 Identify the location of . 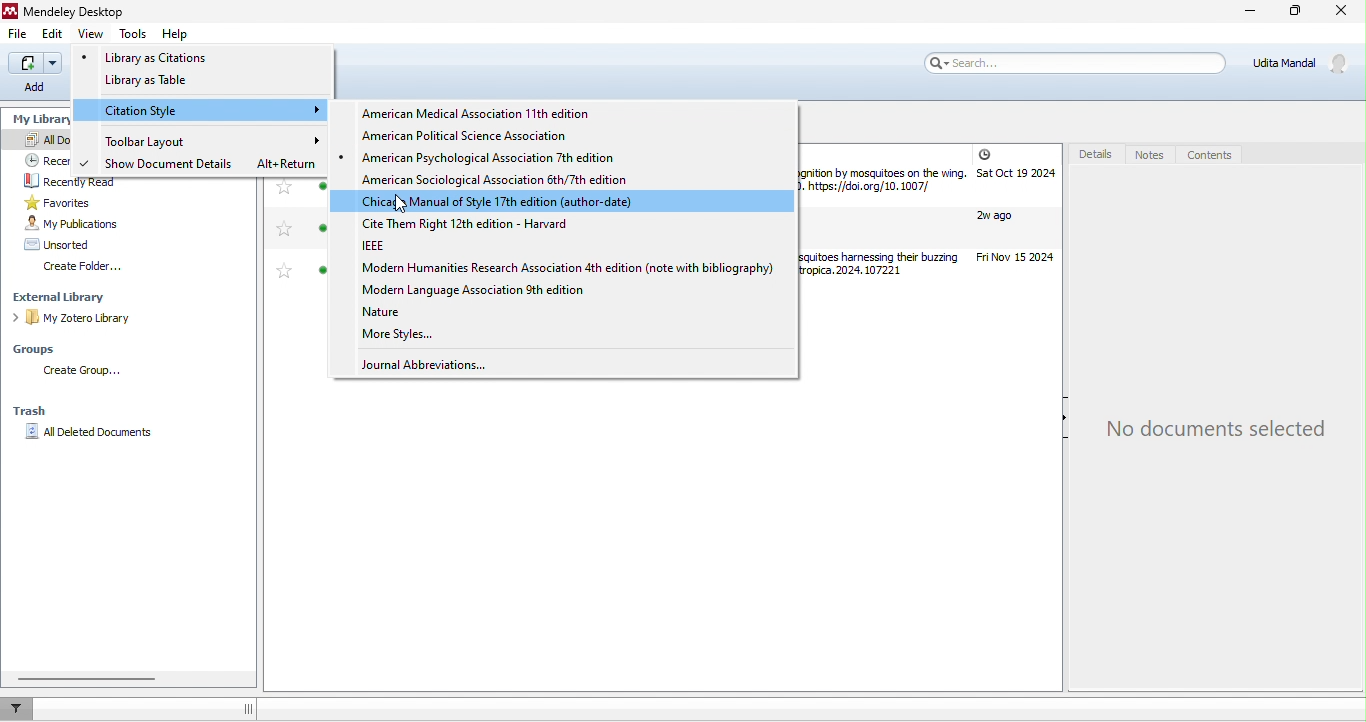
(35, 74).